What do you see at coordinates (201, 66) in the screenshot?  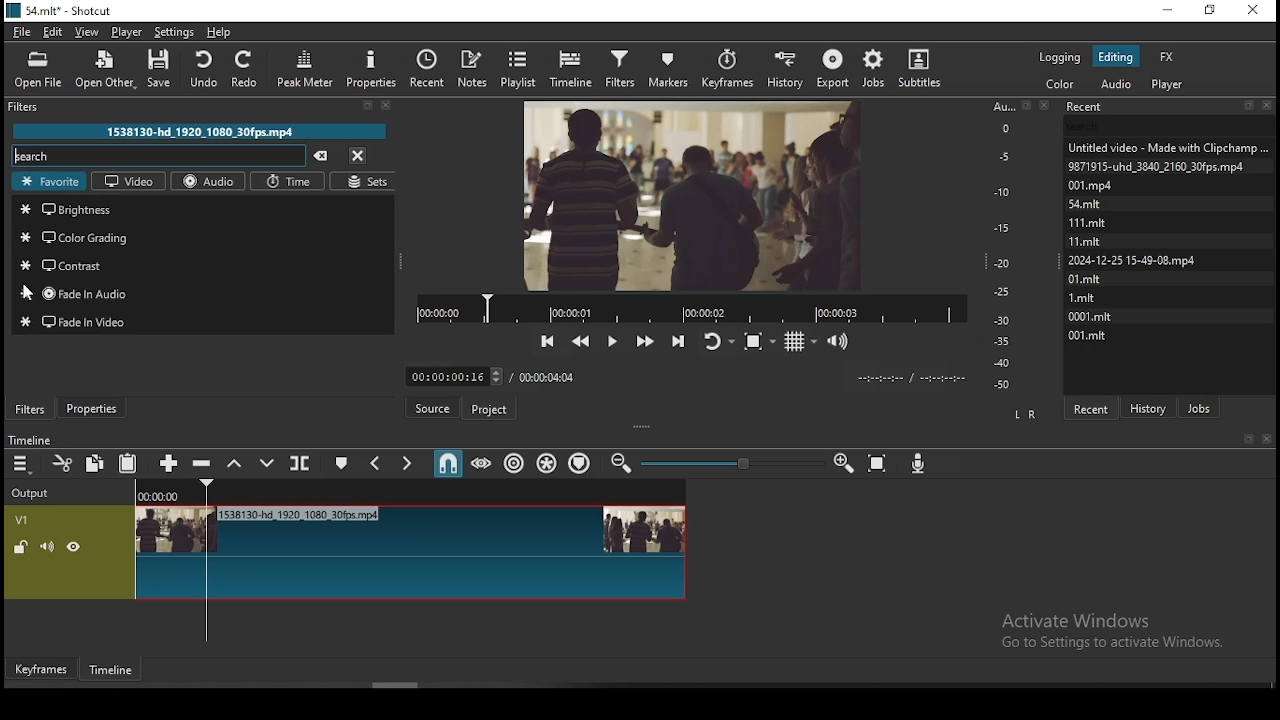 I see `undo` at bounding box center [201, 66].